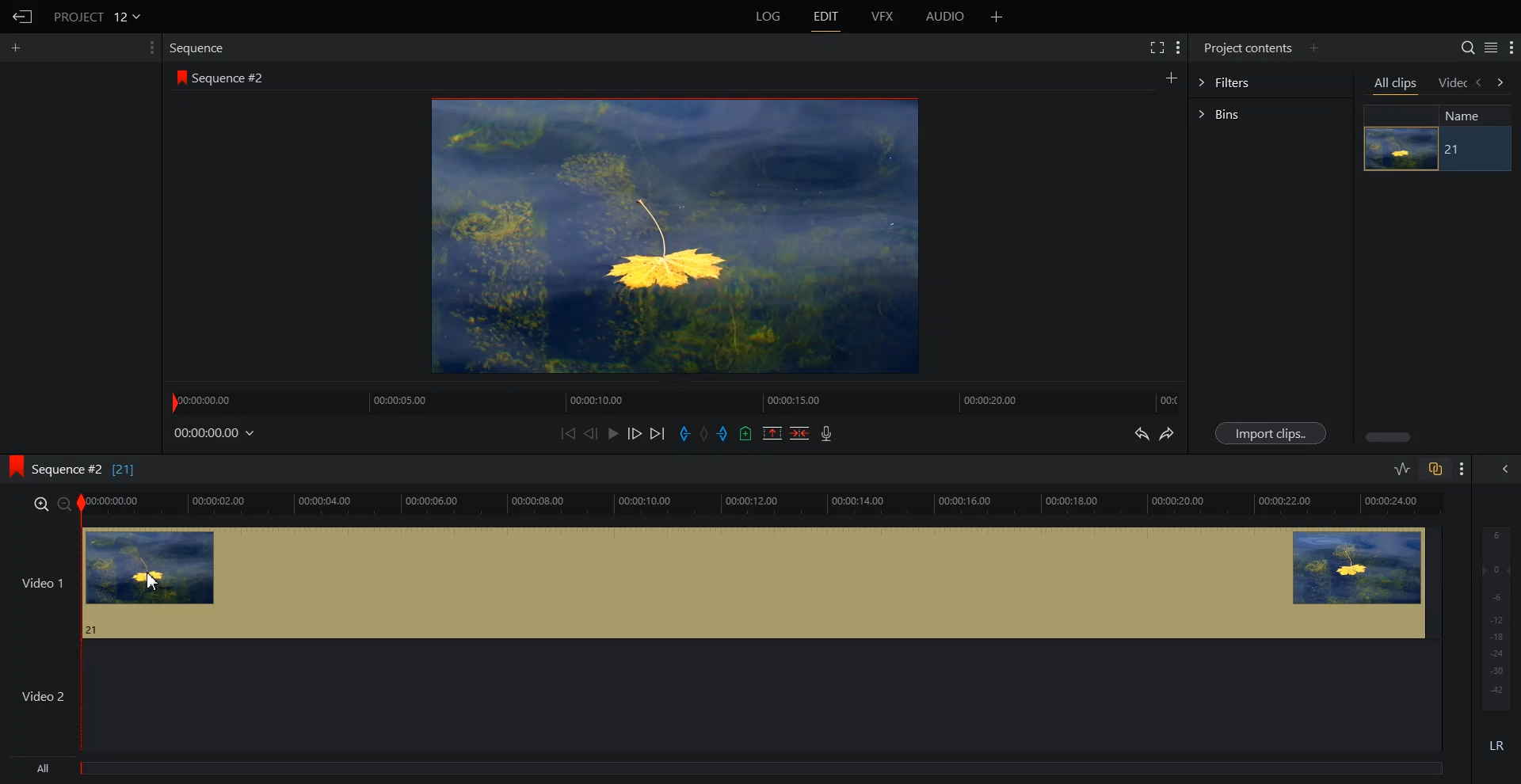 This screenshot has width=1521, height=784. Describe the element at coordinates (746, 433) in the screenshot. I see `Add an cue to current position` at that location.